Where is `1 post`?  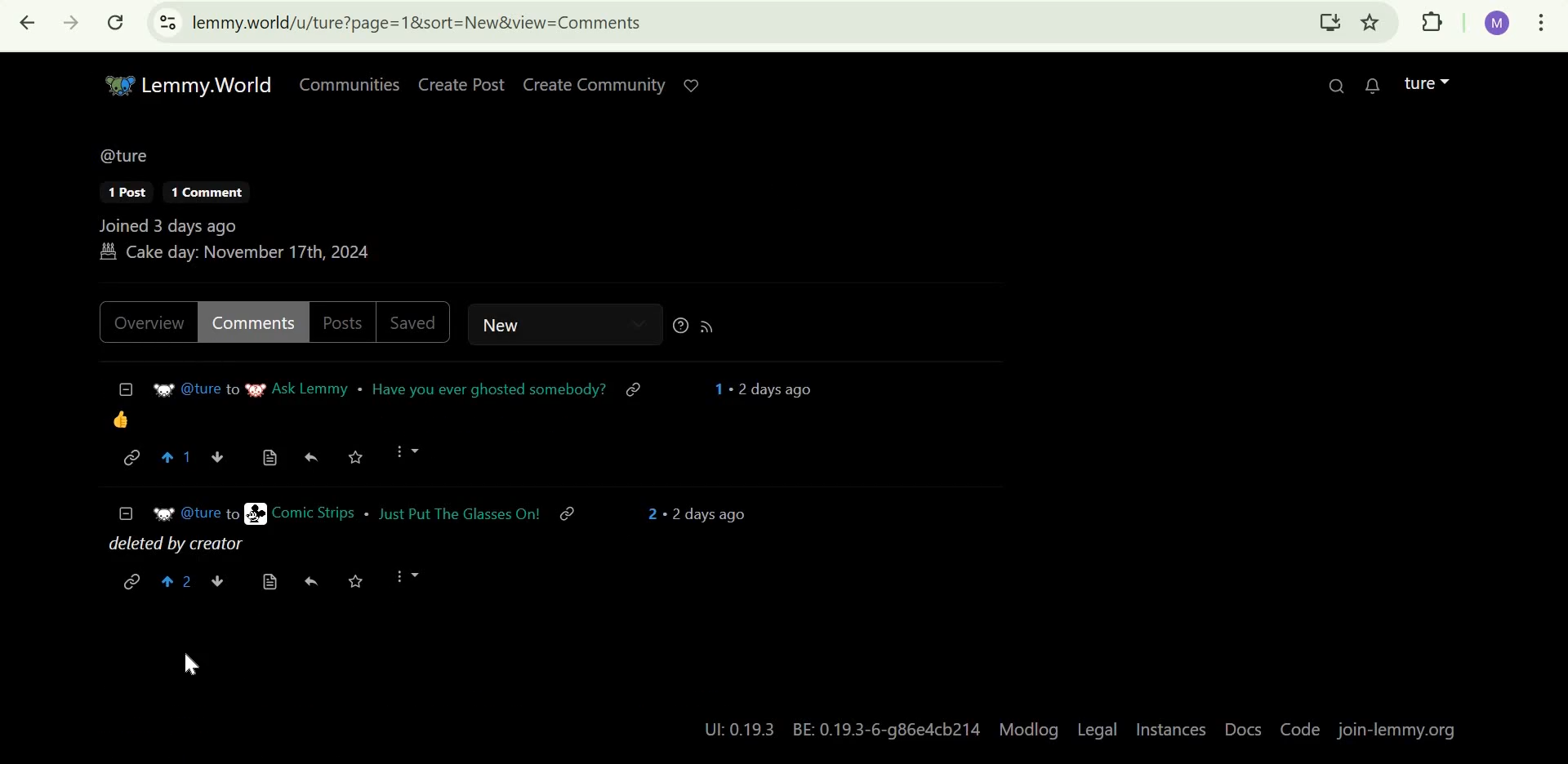
1 post is located at coordinates (117, 193).